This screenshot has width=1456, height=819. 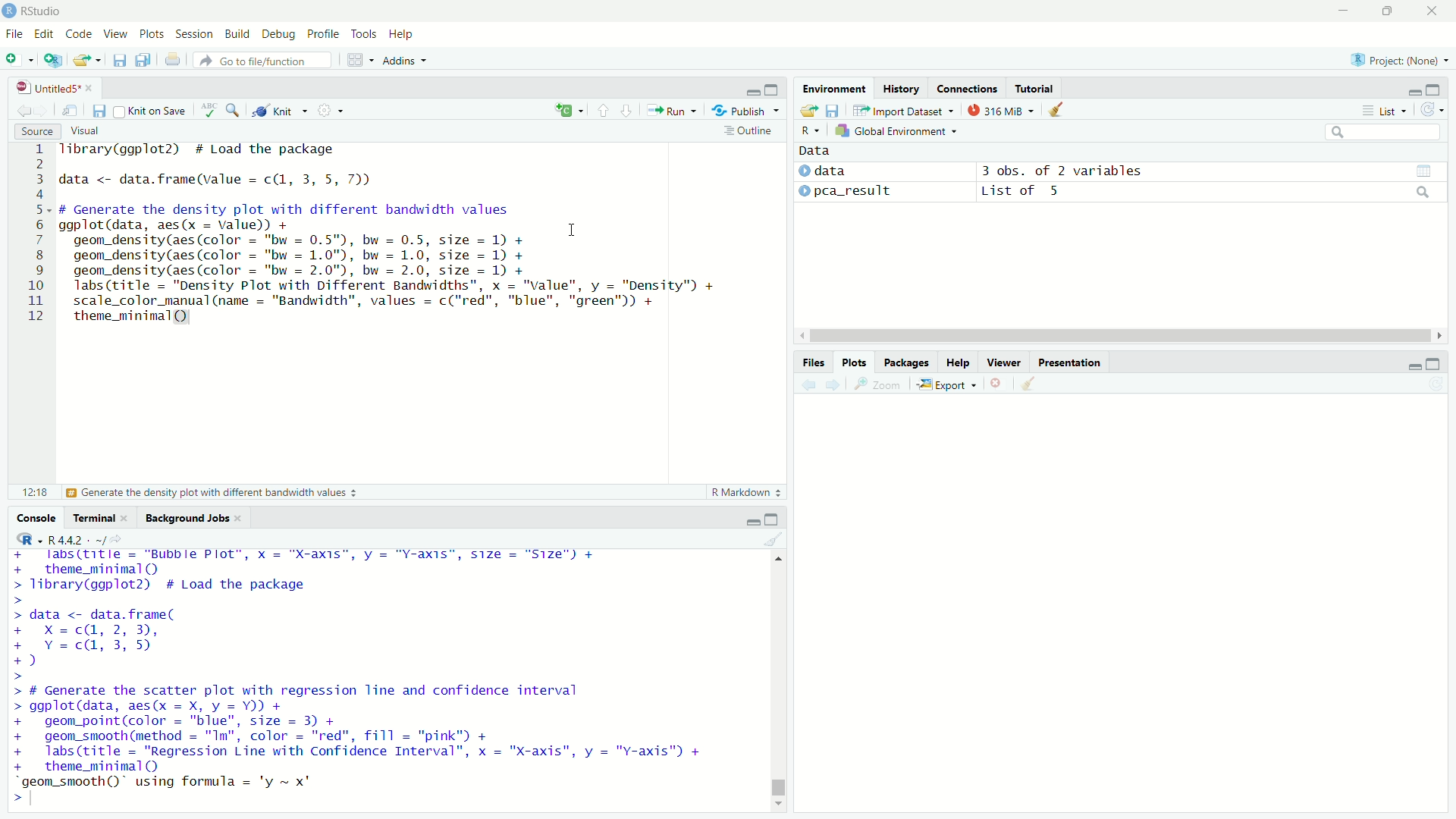 I want to click on List, so click(x=1385, y=110).